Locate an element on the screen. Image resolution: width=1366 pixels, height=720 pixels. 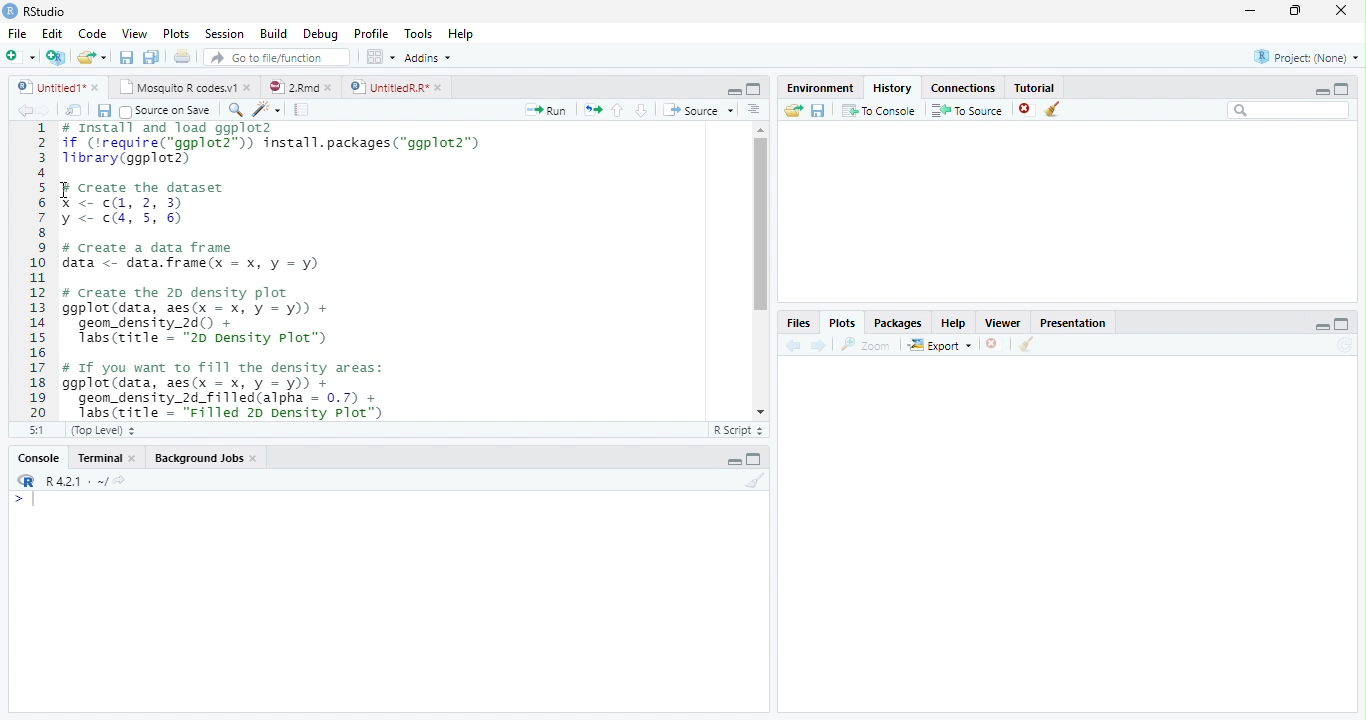
Clear is located at coordinates (756, 480).